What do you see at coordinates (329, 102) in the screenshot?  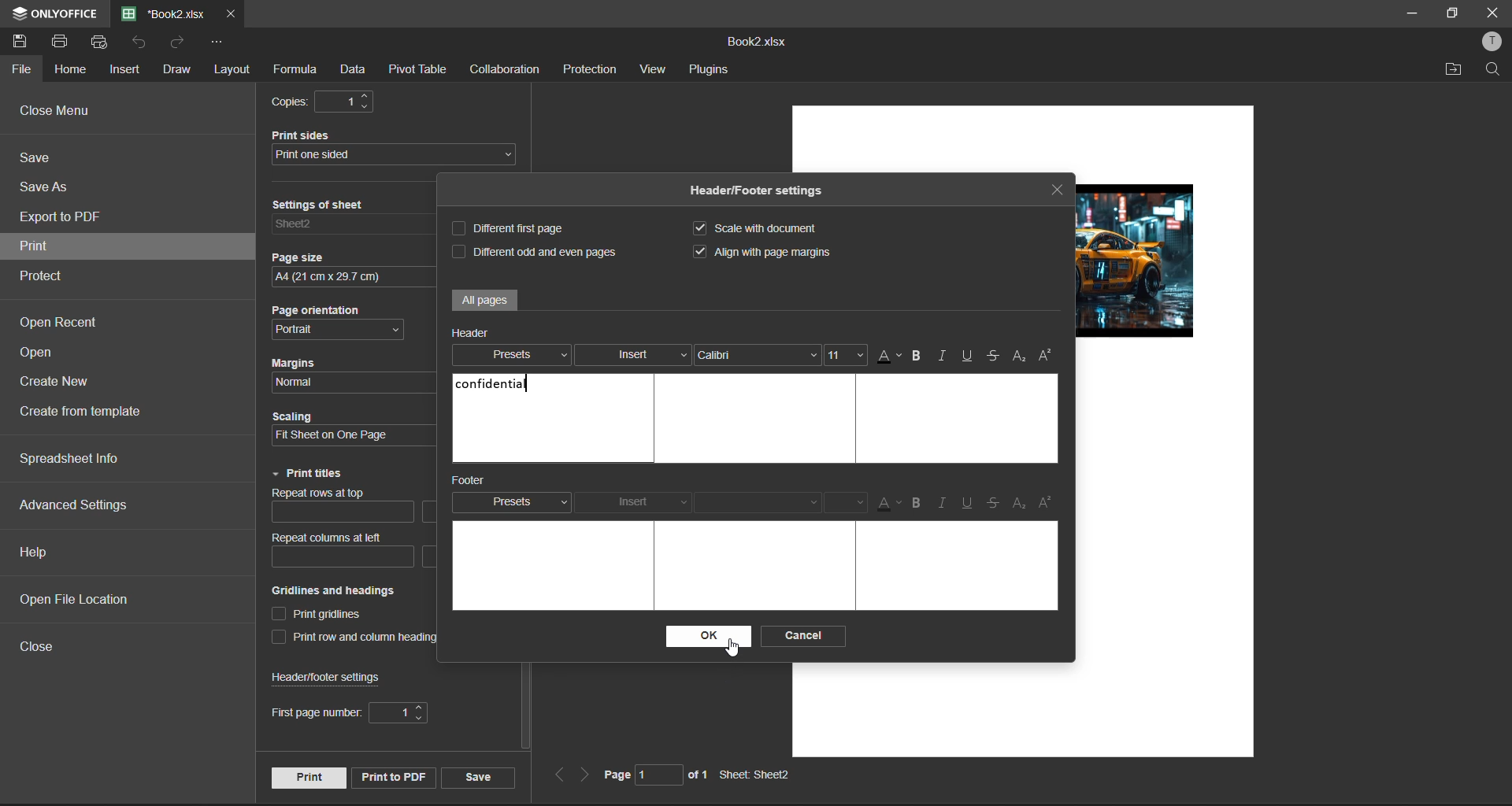 I see `copies` at bounding box center [329, 102].